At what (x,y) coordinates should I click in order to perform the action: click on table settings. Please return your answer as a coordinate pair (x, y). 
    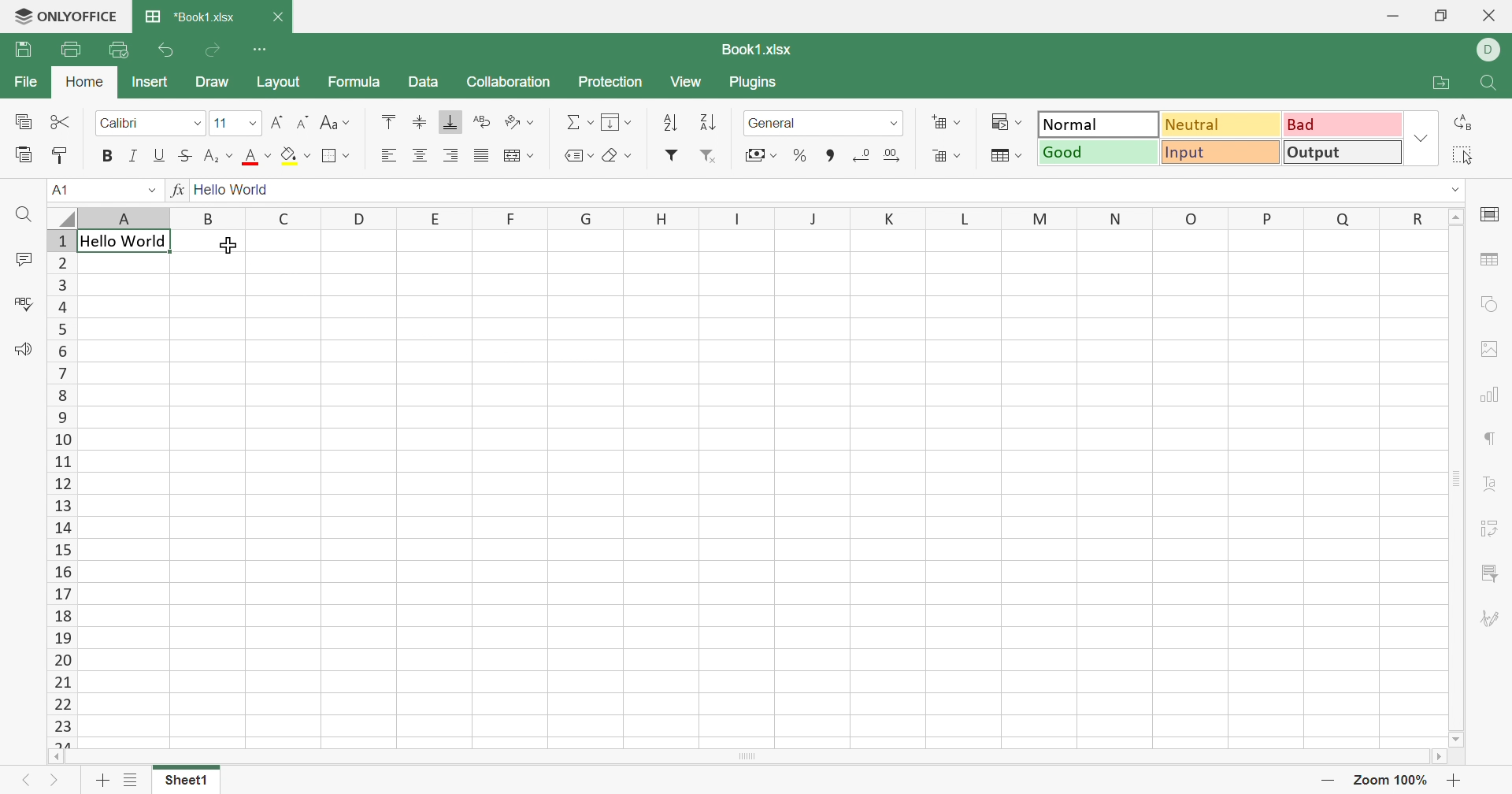
    Looking at the image, I should click on (1488, 260).